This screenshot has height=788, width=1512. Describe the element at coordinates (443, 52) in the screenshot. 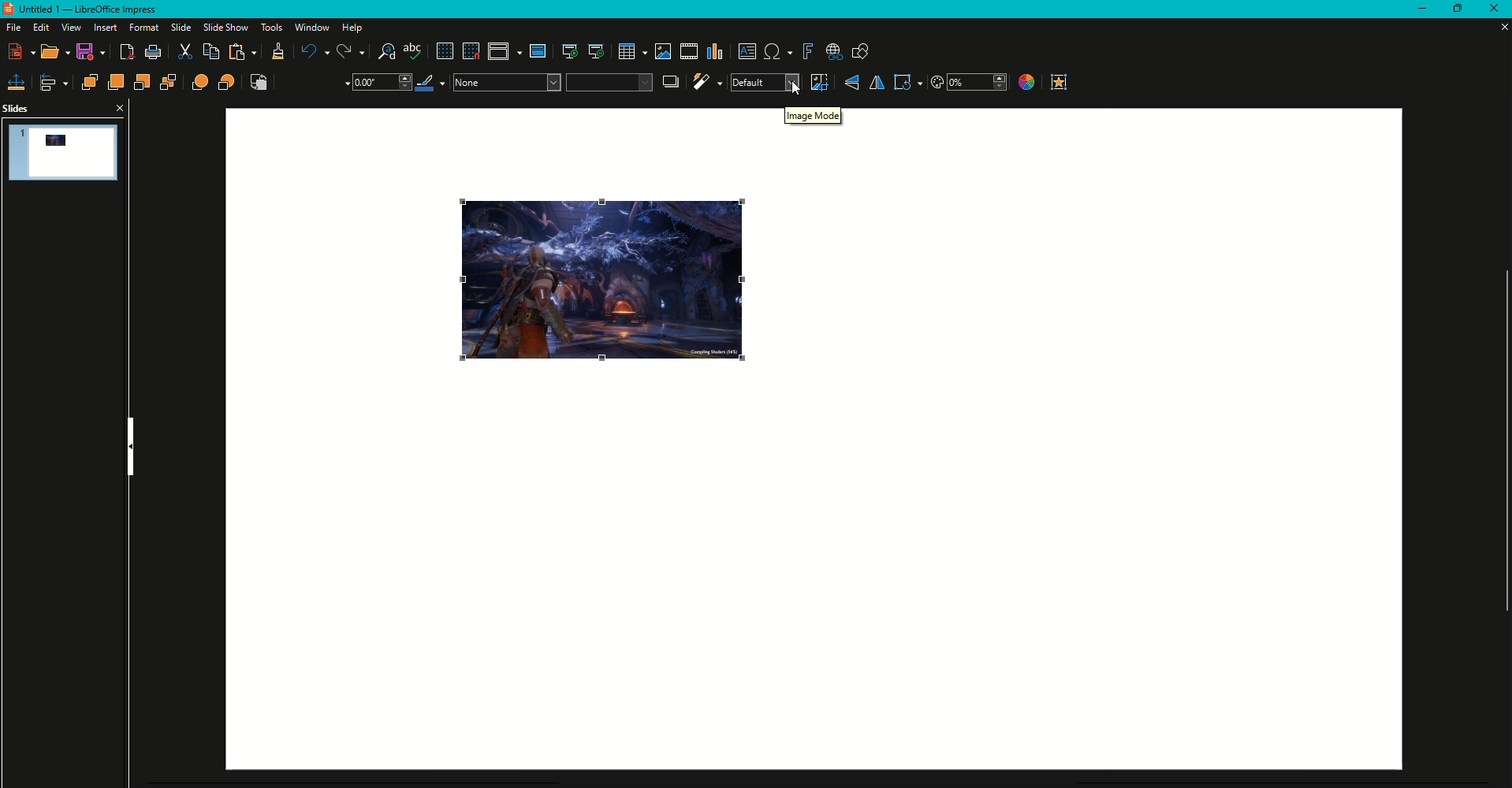

I see `Display Grid` at that location.